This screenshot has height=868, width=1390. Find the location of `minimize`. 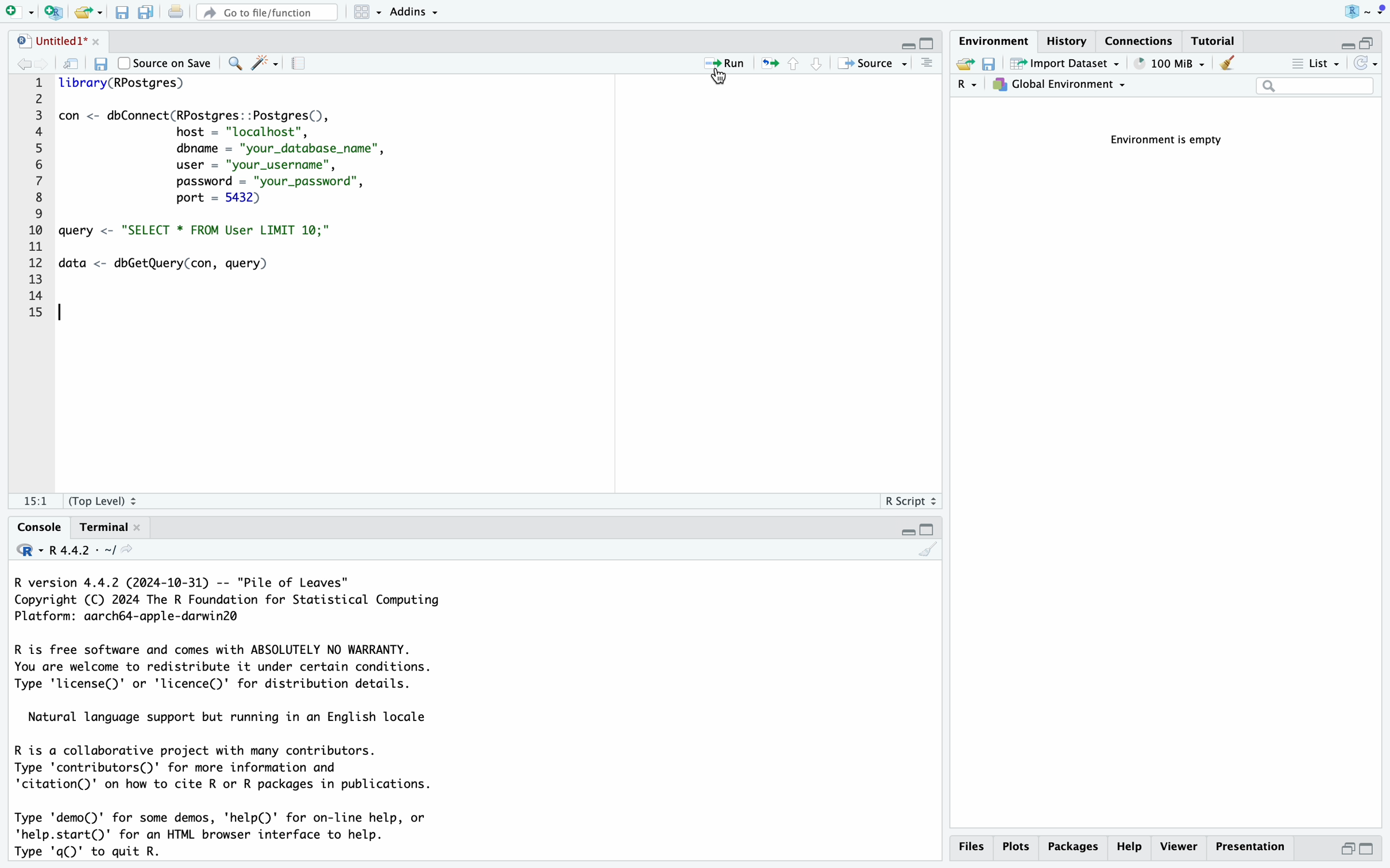

minimize is located at coordinates (1342, 852).